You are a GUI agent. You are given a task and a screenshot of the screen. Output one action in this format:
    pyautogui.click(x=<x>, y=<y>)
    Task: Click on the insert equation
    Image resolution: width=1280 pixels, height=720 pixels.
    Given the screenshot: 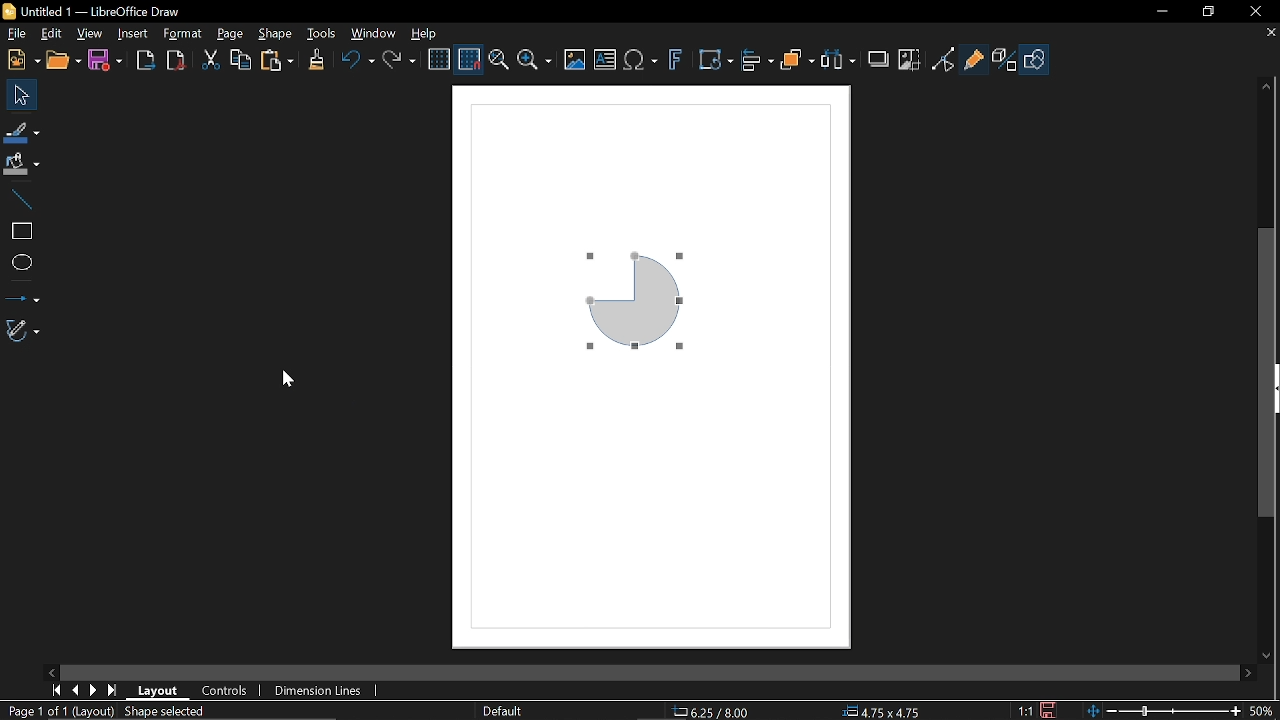 What is the action you would take?
    pyautogui.click(x=642, y=61)
    